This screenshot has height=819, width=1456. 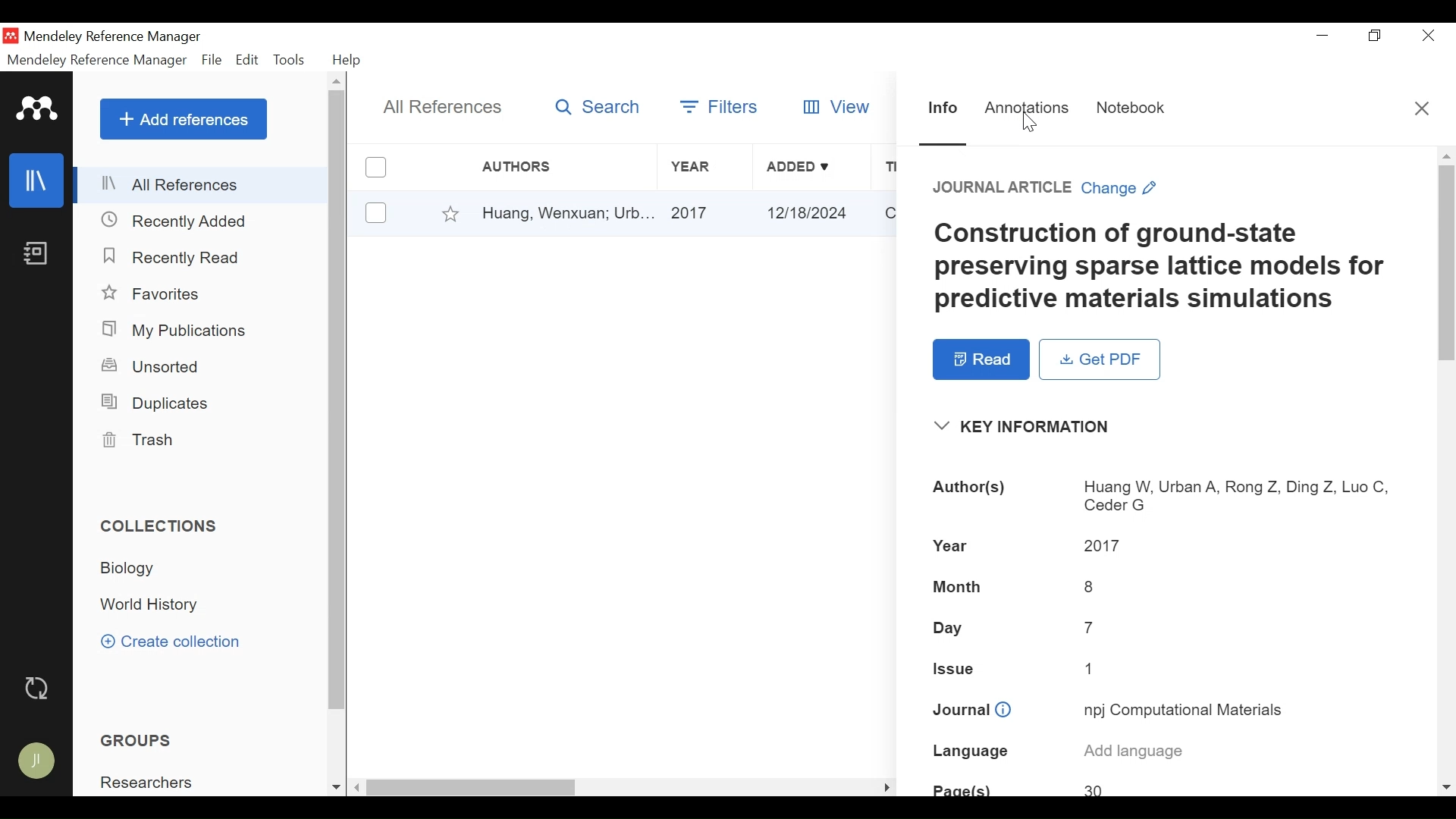 I want to click on Create Collection, so click(x=176, y=642).